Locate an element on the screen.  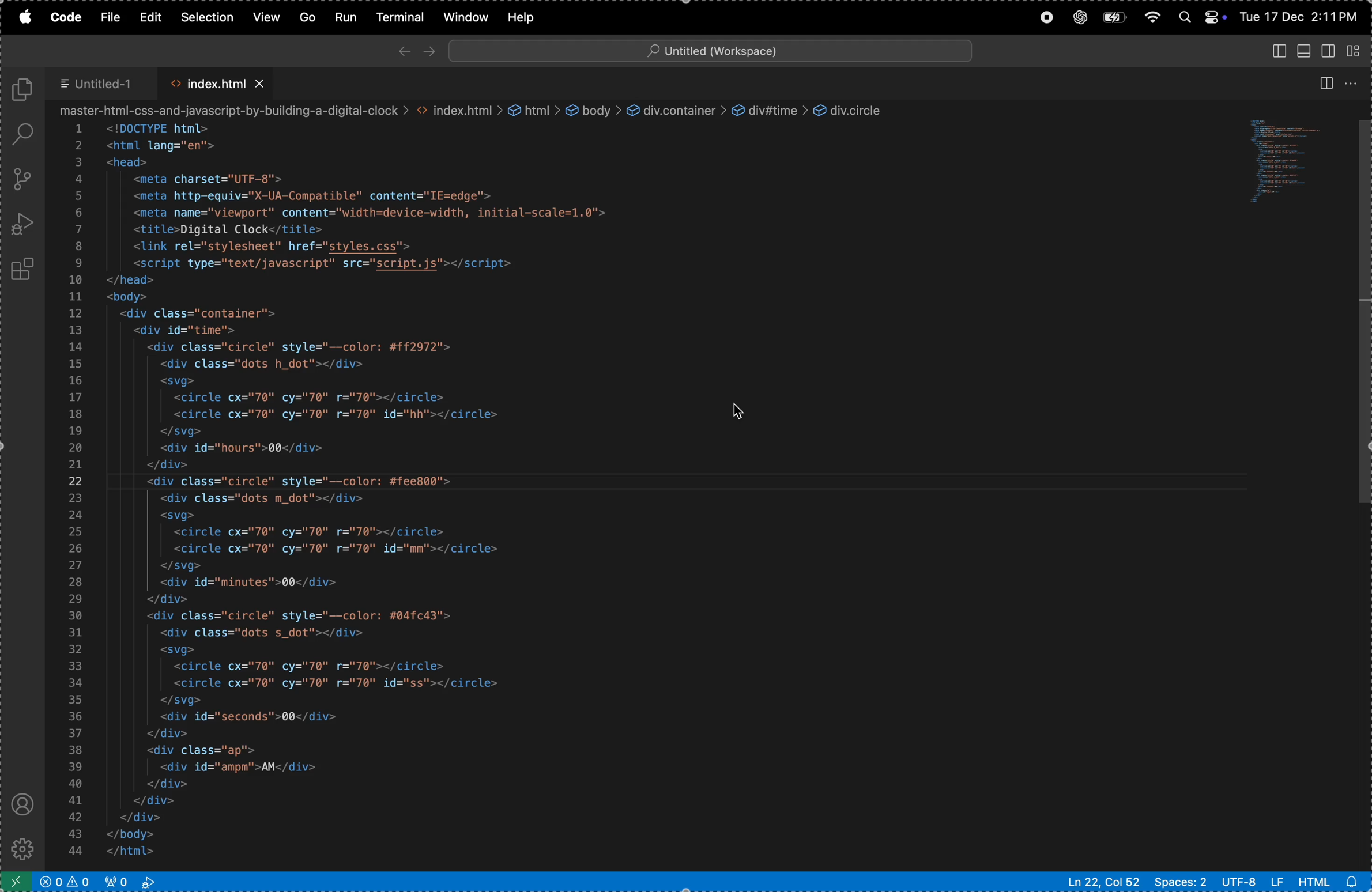
html is located at coordinates (1330, 882).